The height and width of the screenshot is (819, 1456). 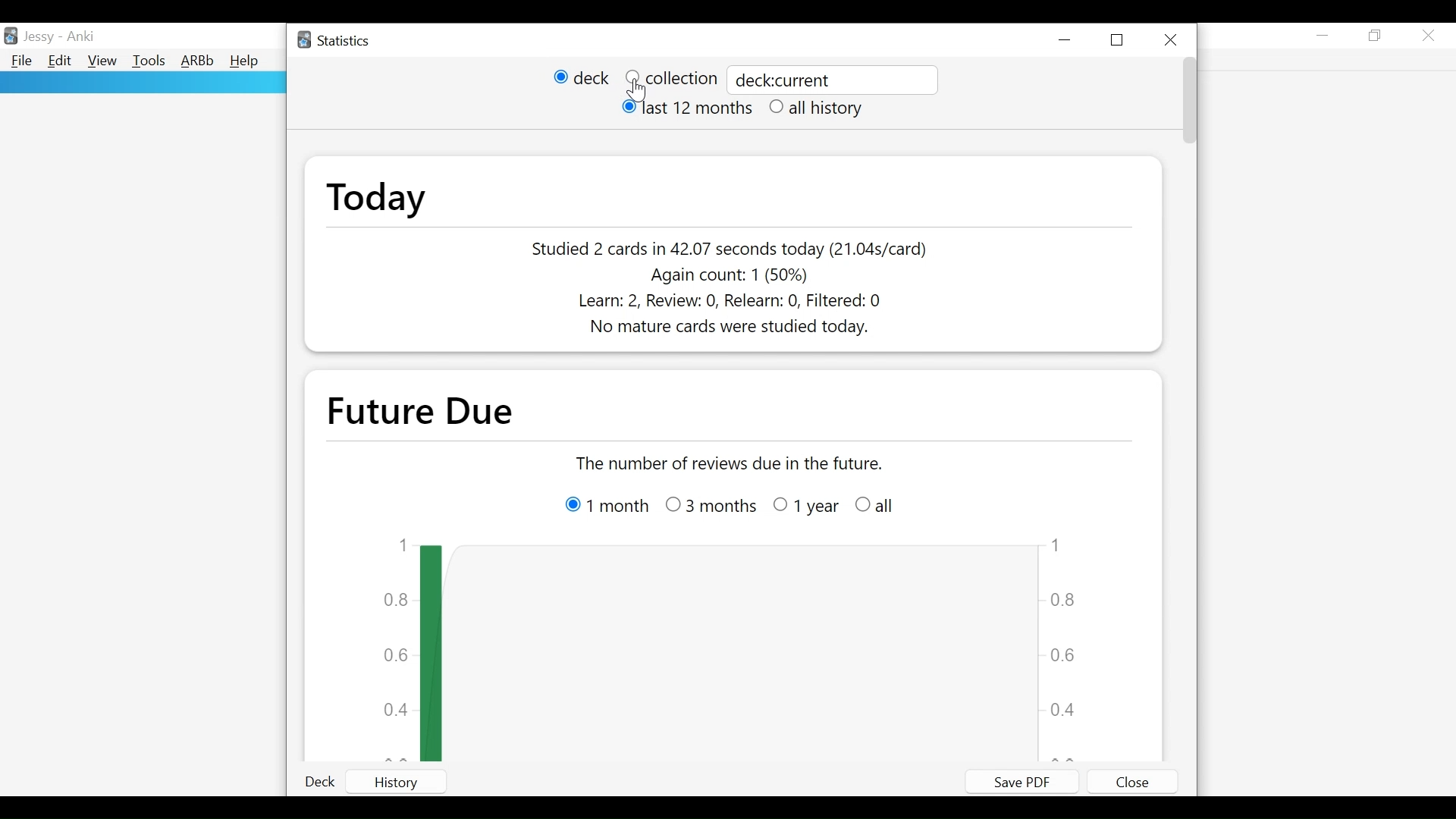 What do you see at coordinates (604, 506) in the screenshot?
I see `(un)select 1 month` at bounding box center [604, 506].